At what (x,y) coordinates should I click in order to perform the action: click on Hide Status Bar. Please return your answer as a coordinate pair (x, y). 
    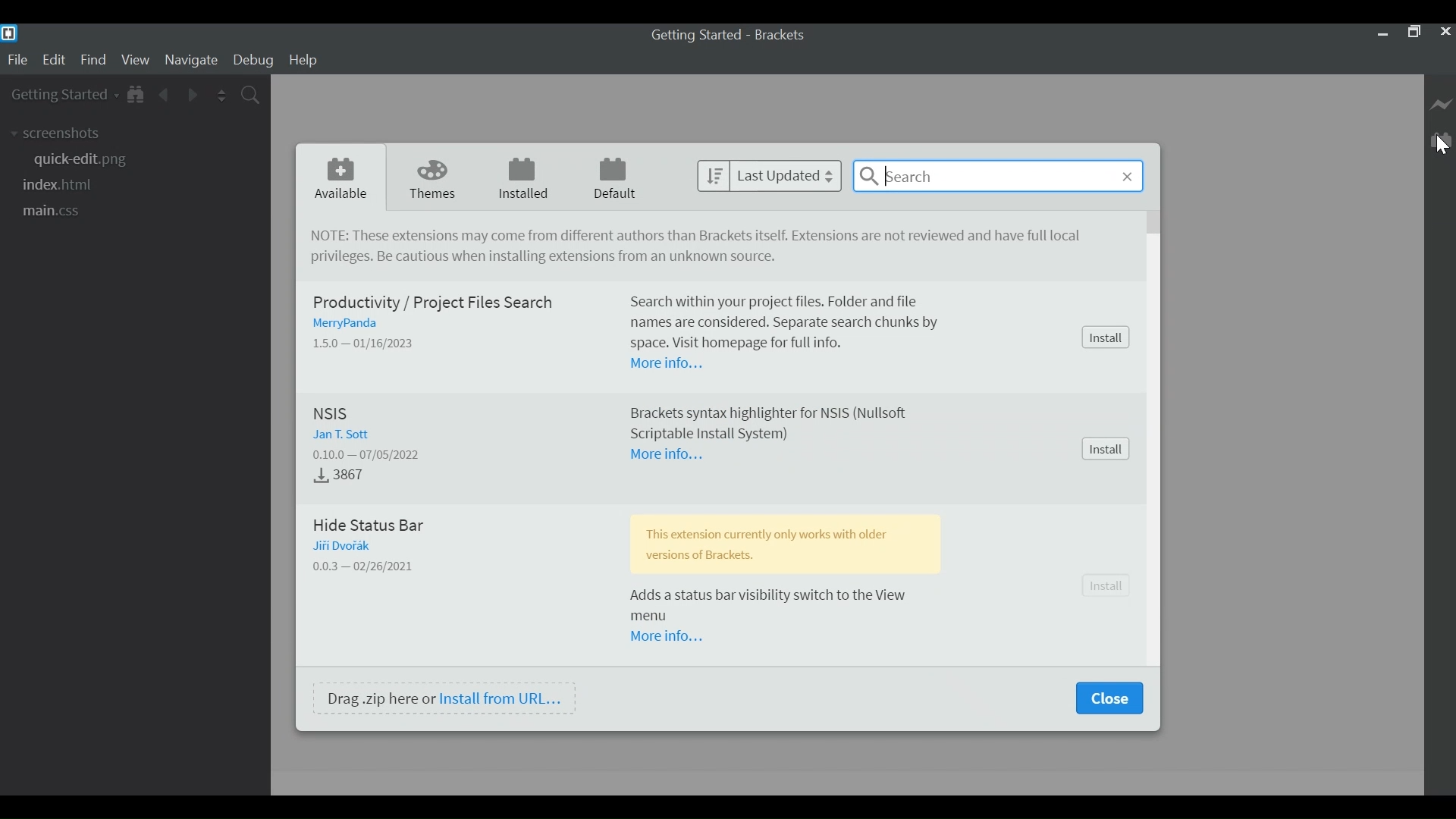
    Looking at the image, I should click on (378, 523).